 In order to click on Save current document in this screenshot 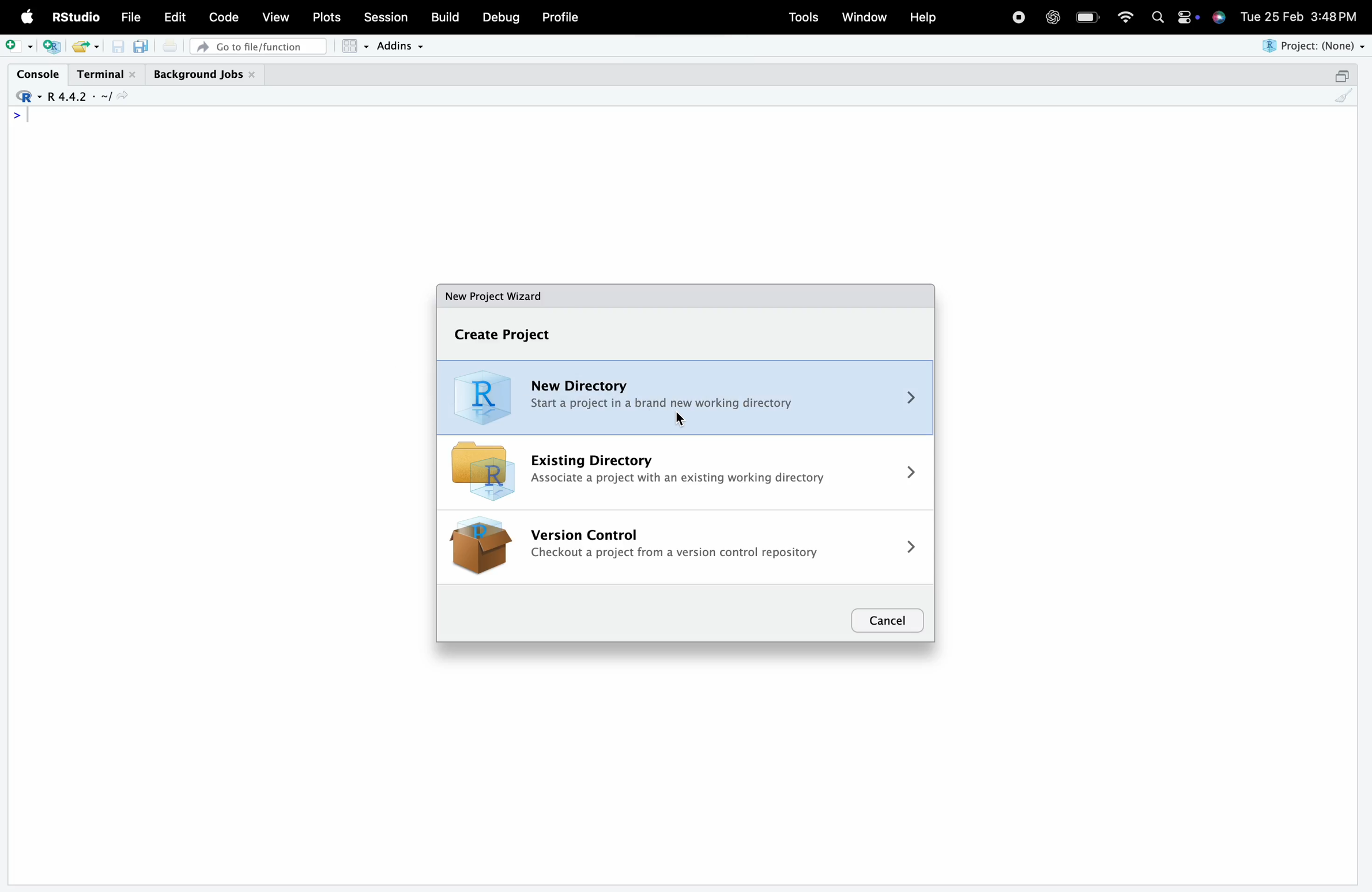, I will do `click(118, 47)`.